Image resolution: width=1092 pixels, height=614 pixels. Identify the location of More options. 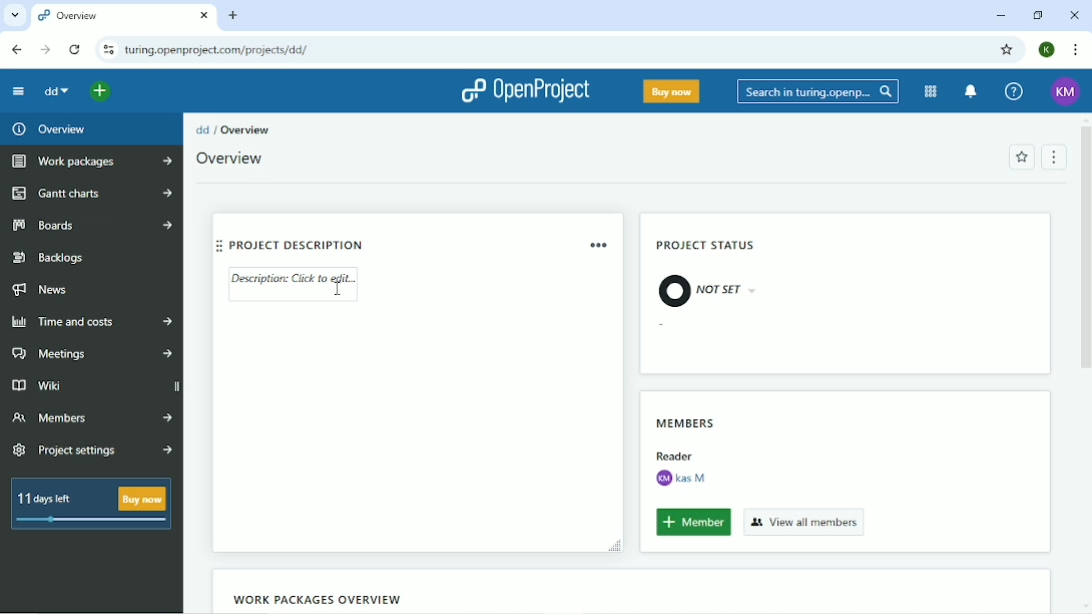
(601, 244).